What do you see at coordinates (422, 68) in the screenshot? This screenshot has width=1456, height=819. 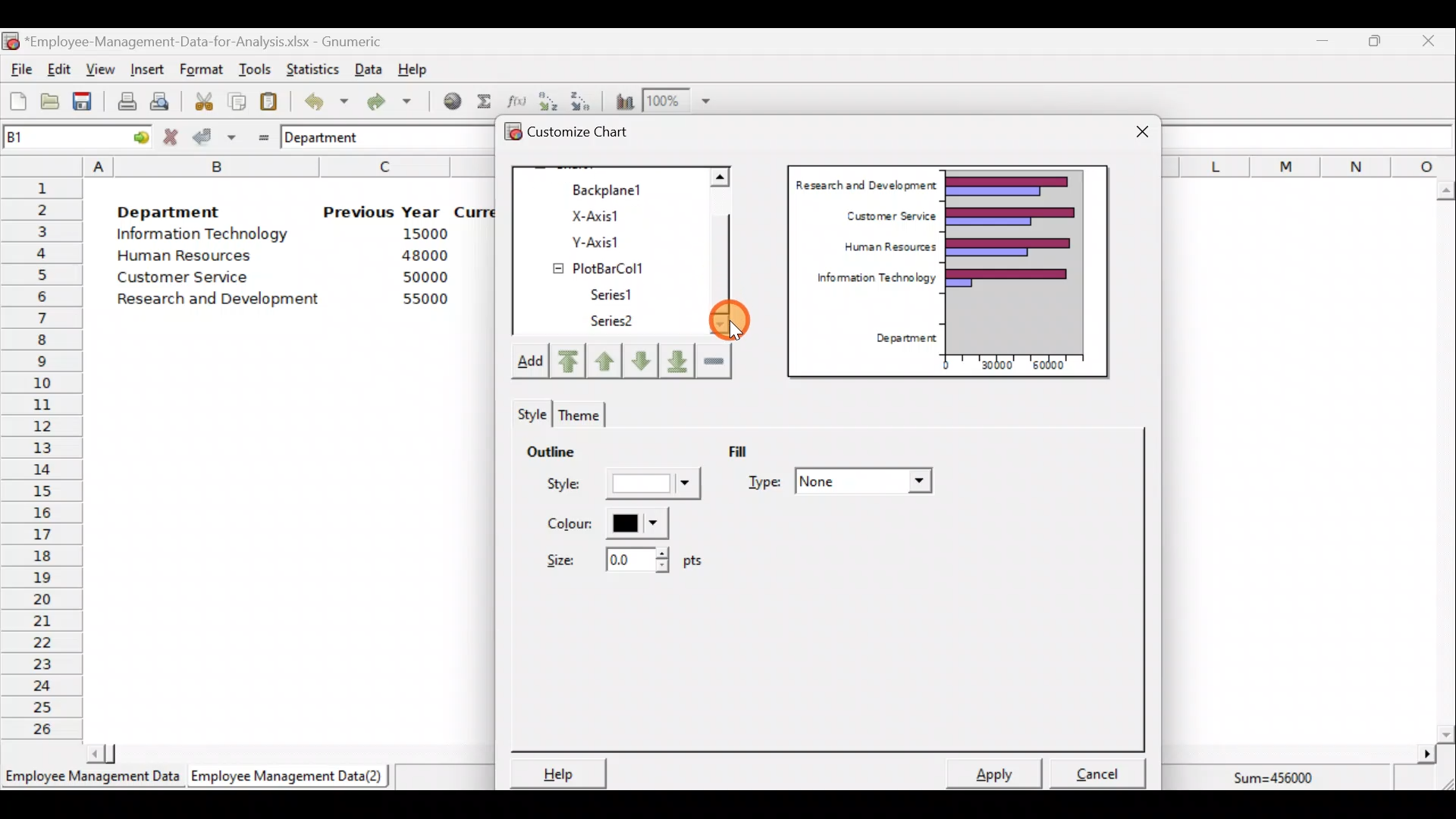 I see `Help` at bounding box center [422, 68].